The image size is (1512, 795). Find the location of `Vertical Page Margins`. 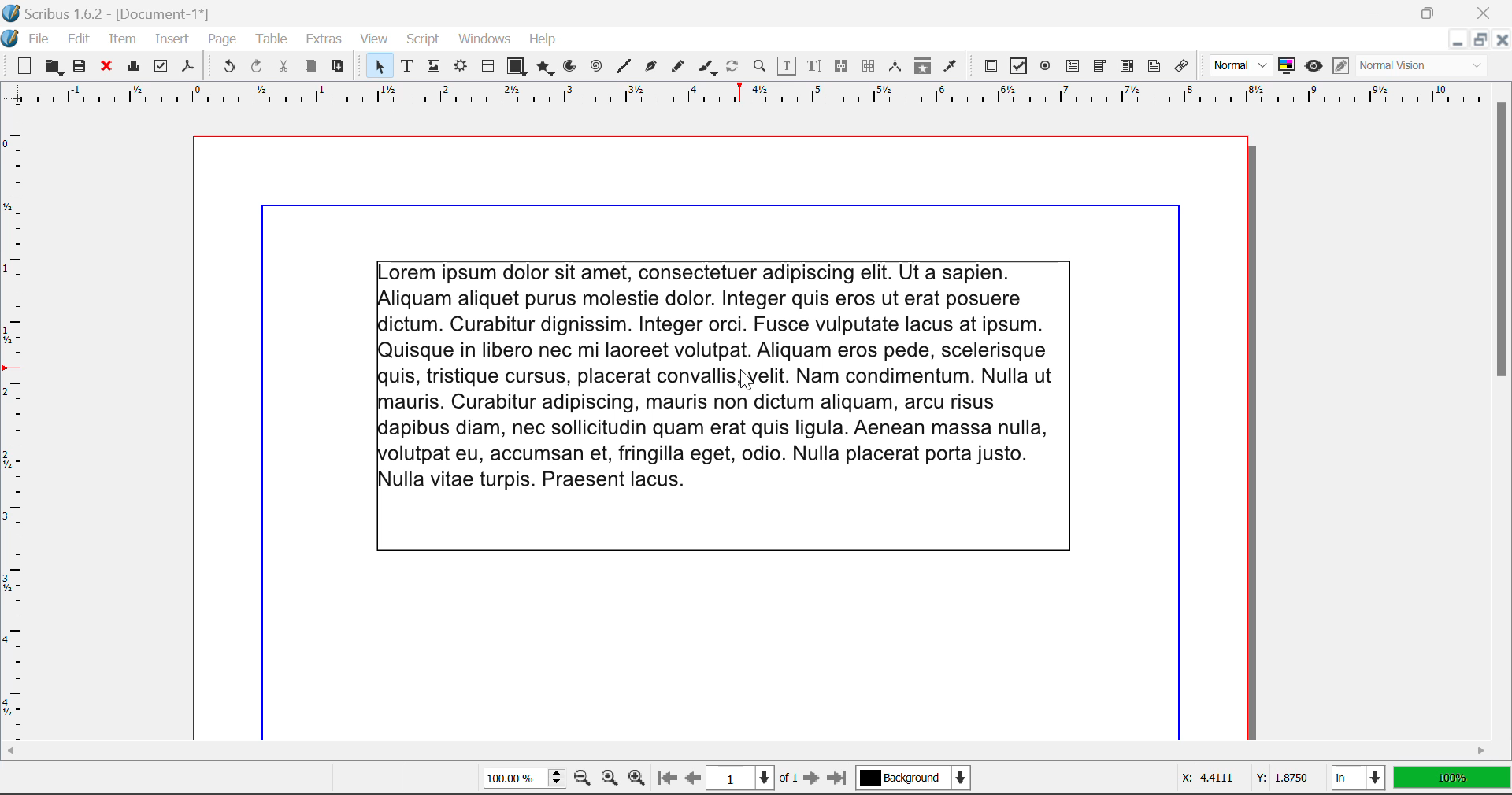

Vertical Page Margins is located at coordinates (755, 99).